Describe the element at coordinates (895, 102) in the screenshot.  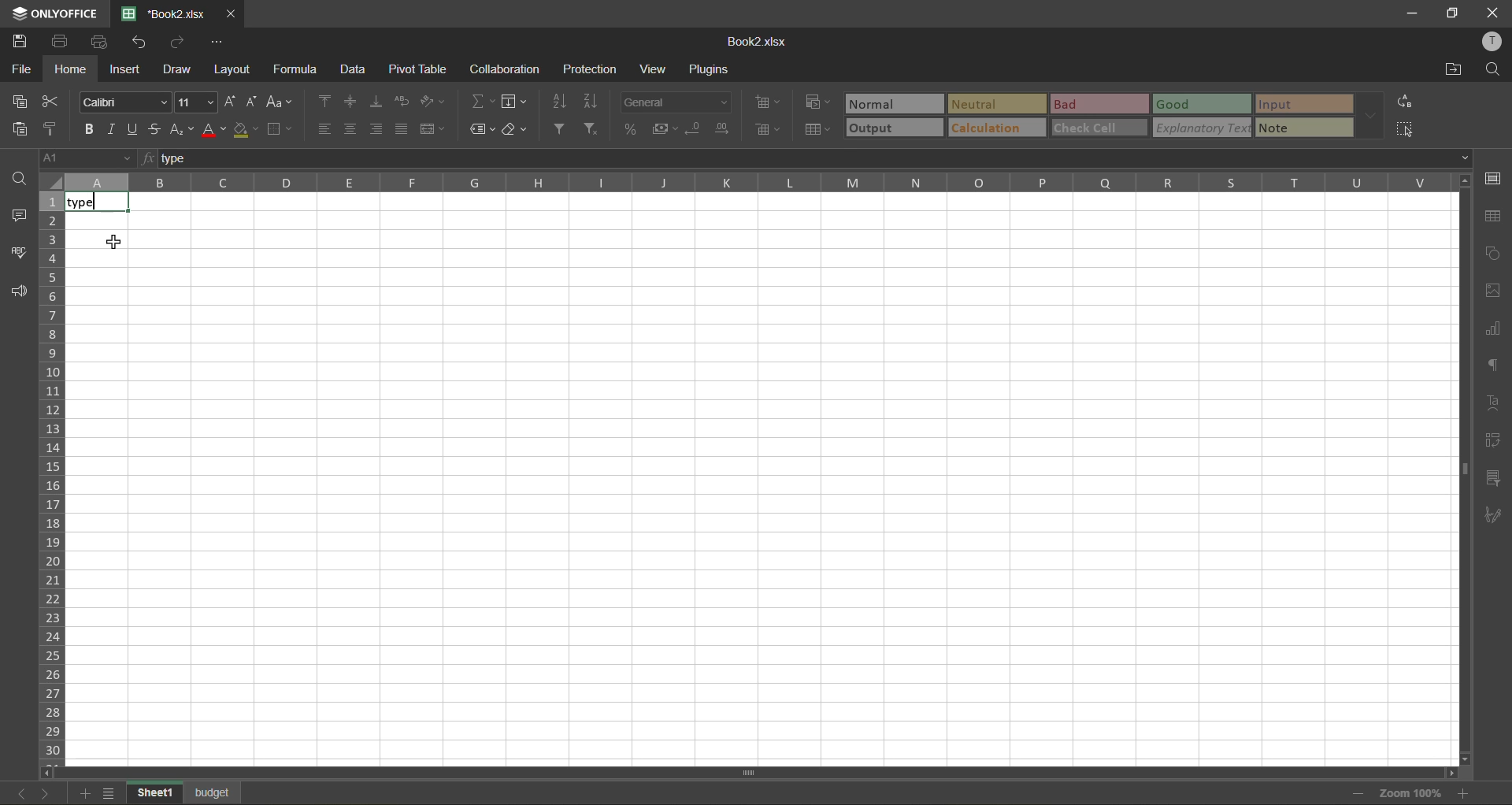
I see `natural ` at that location.